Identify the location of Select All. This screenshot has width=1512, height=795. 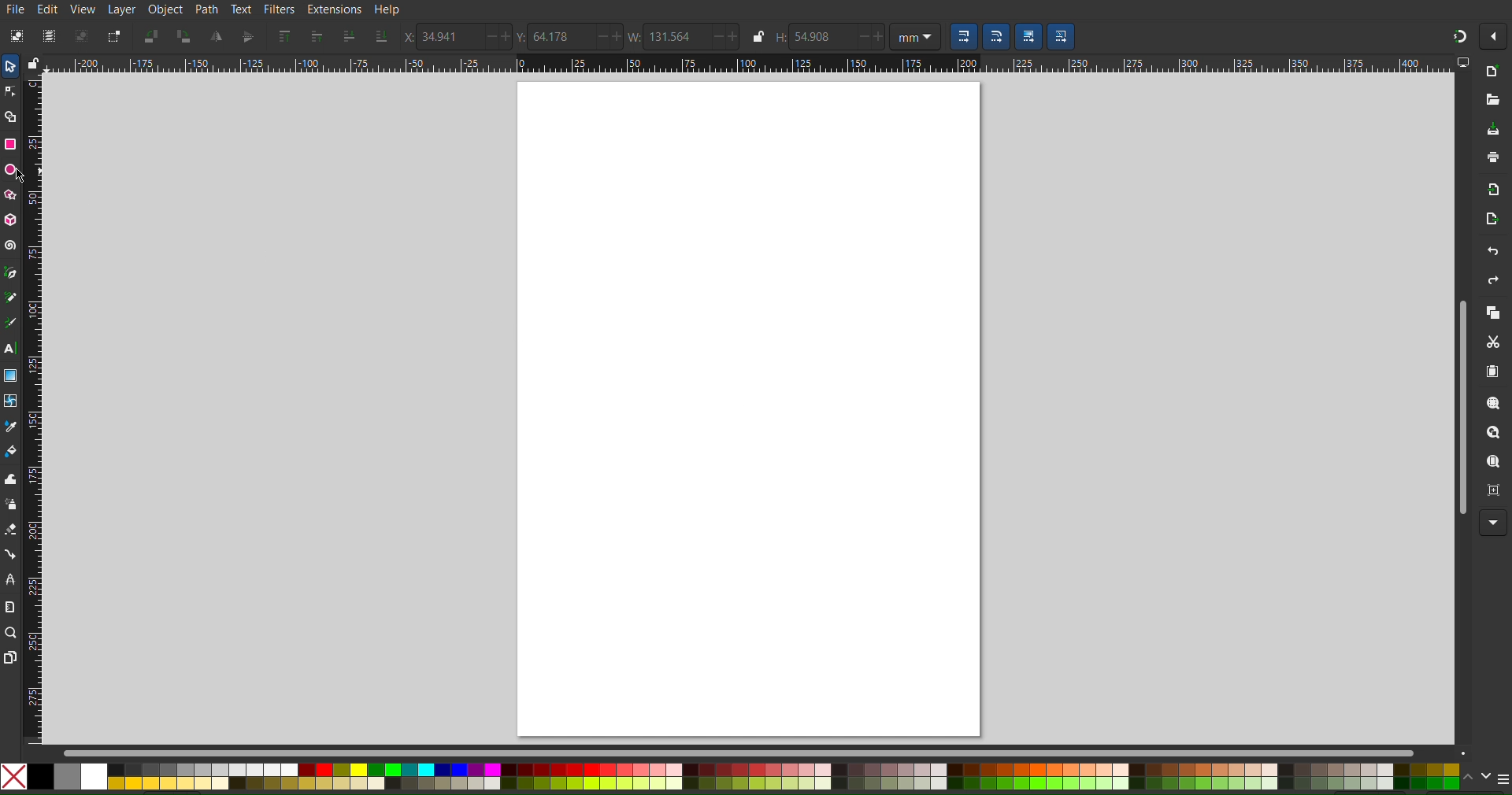
(48, 36).